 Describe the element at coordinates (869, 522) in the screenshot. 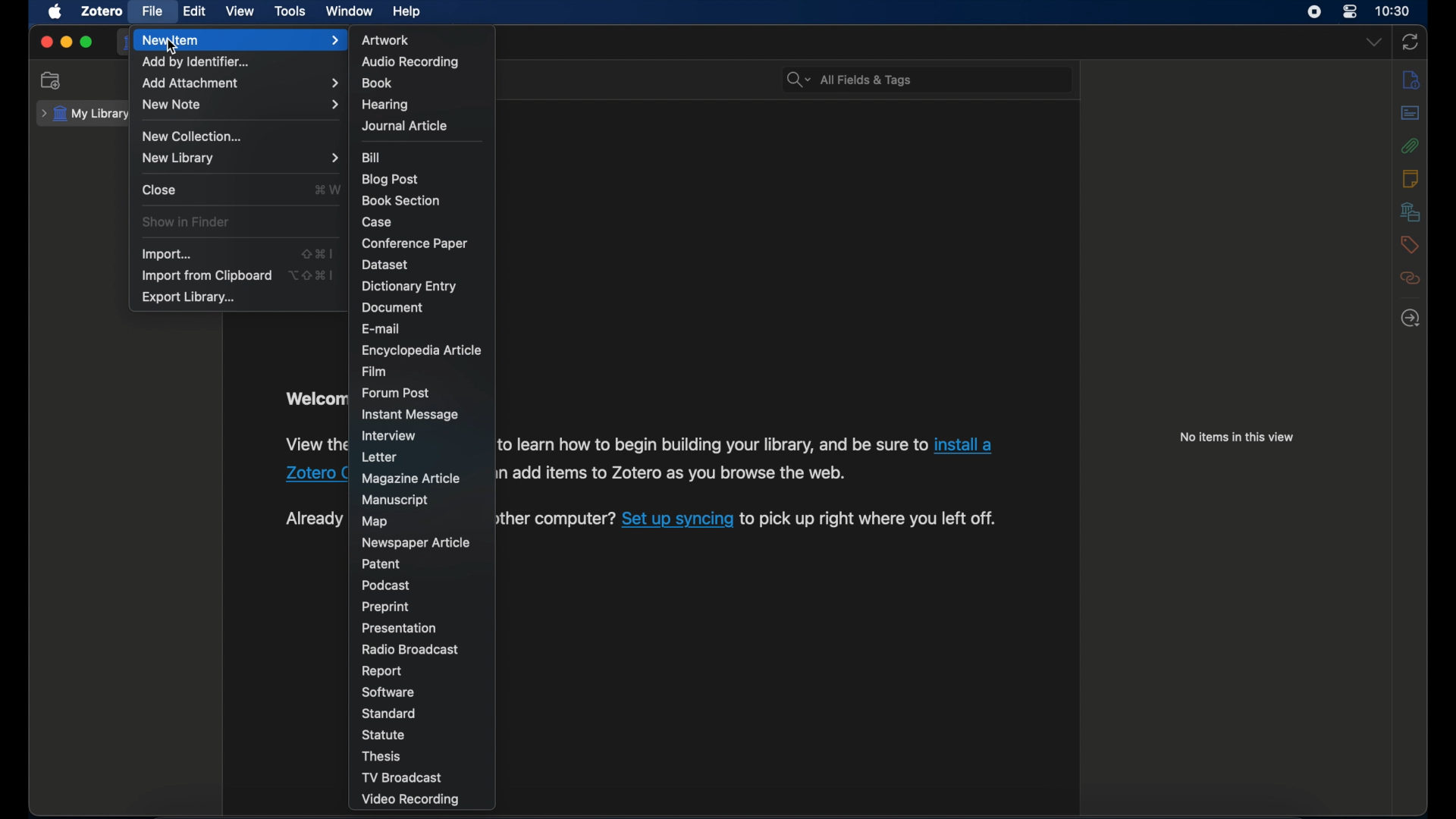

I see `to pick up` at that location.